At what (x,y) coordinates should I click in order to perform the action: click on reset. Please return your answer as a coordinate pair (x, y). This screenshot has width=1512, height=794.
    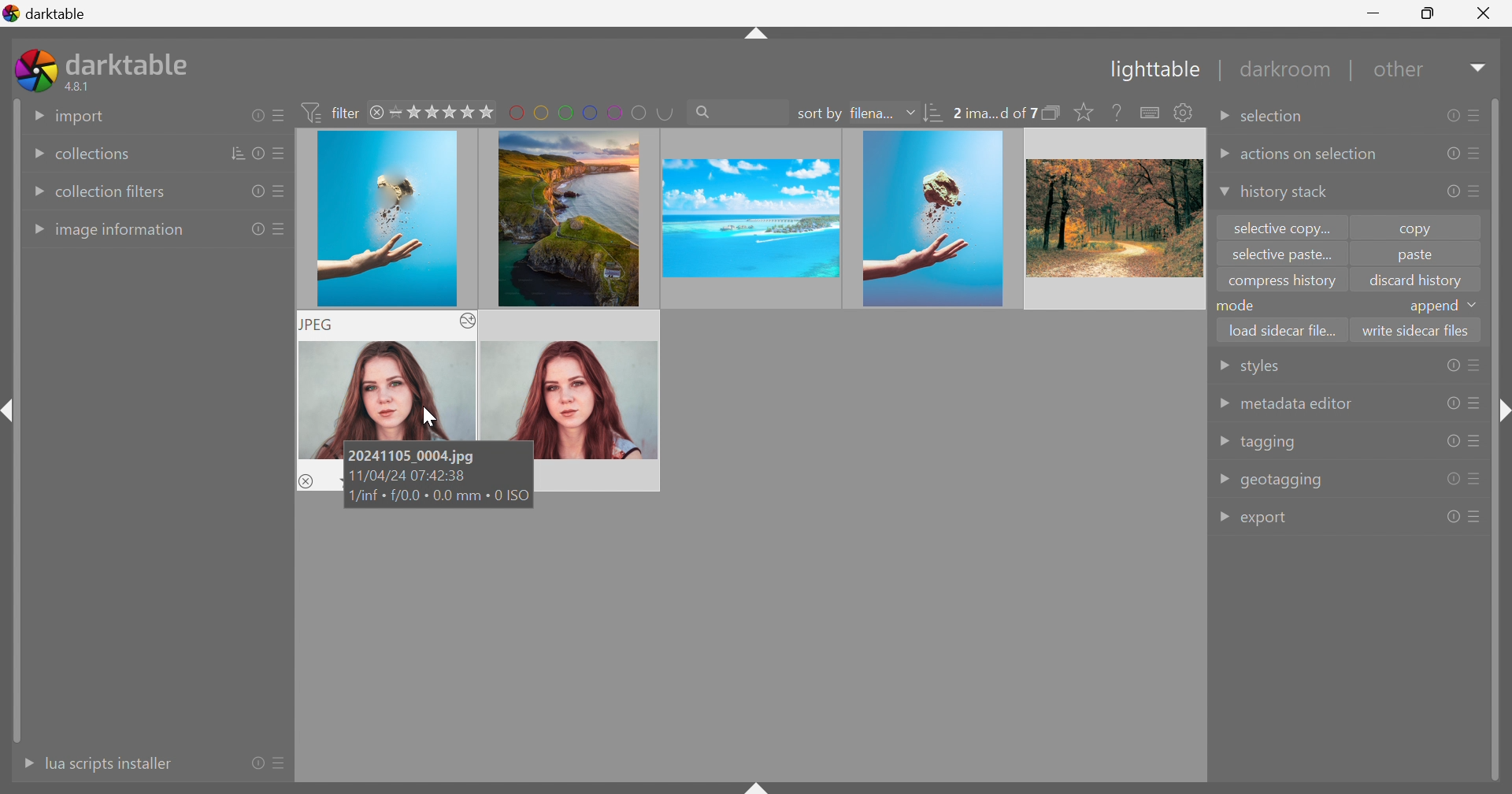
    Looking at the image, I should click on (1450, 194).